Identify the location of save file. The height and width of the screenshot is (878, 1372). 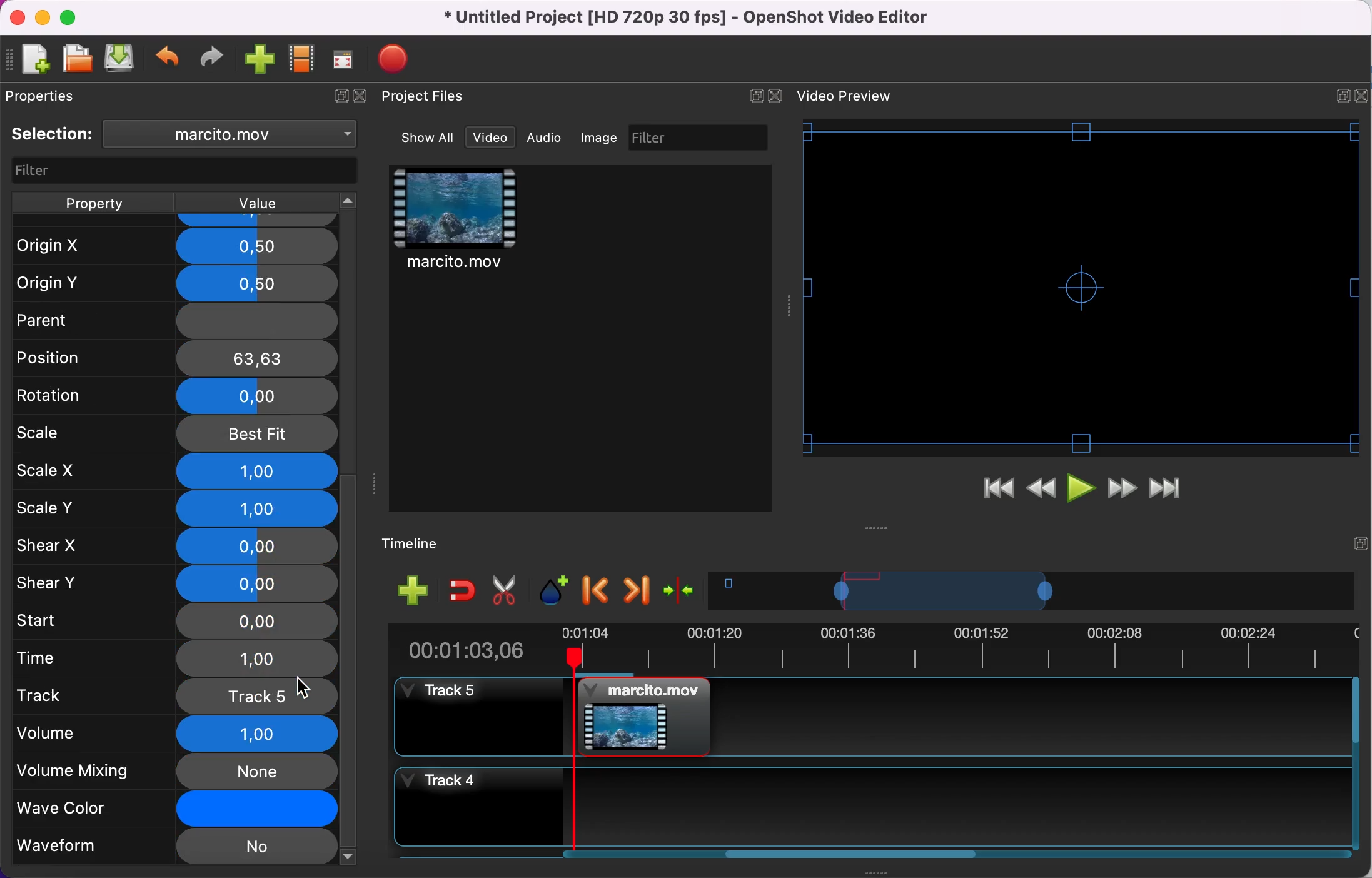
(121, 58).